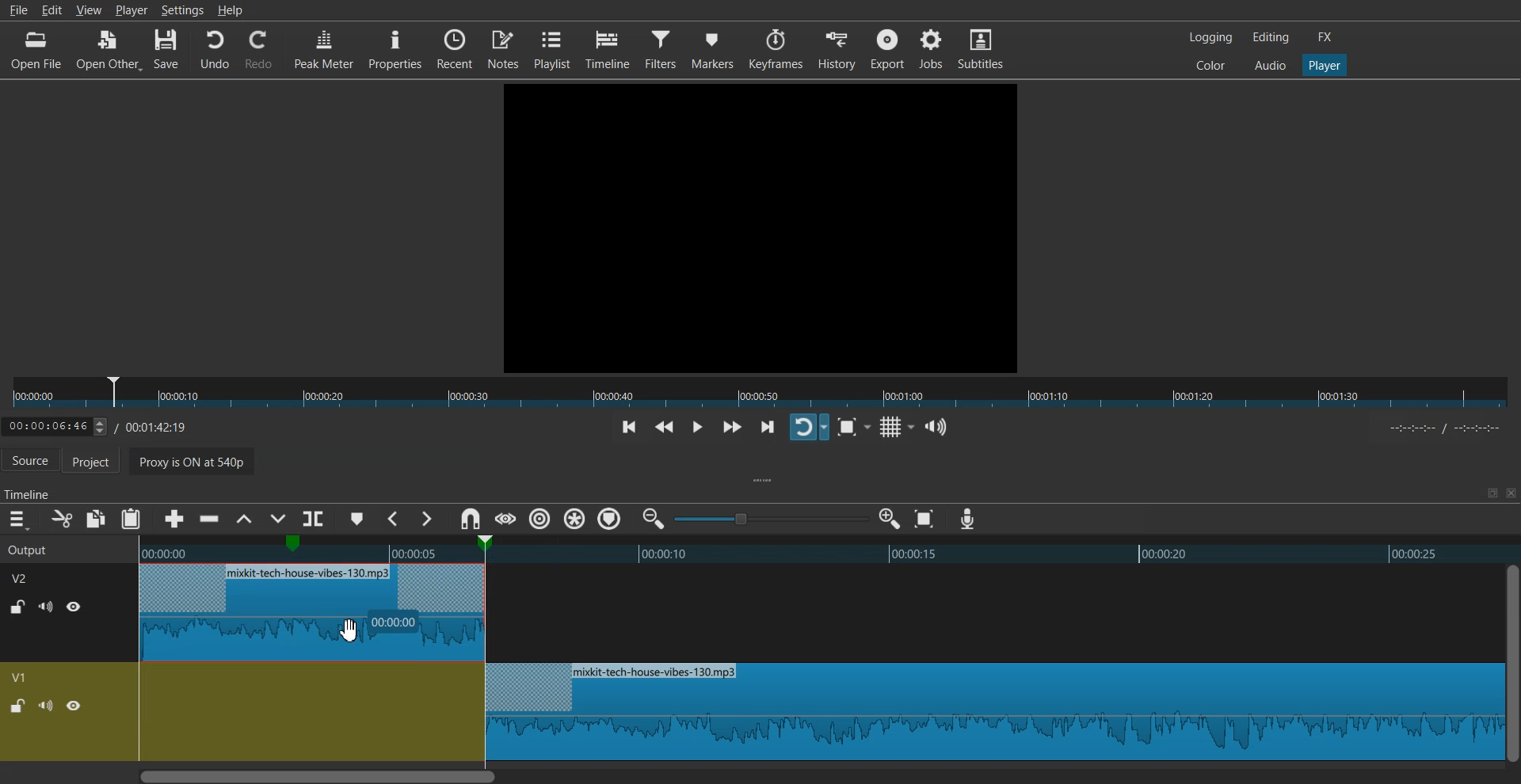 This screenshot has height=784, width=1521. What do you see at coordinates (771, 519) in the screenshot?
I see `Zoom adjuster toggle` at bounding box center [771, 519].